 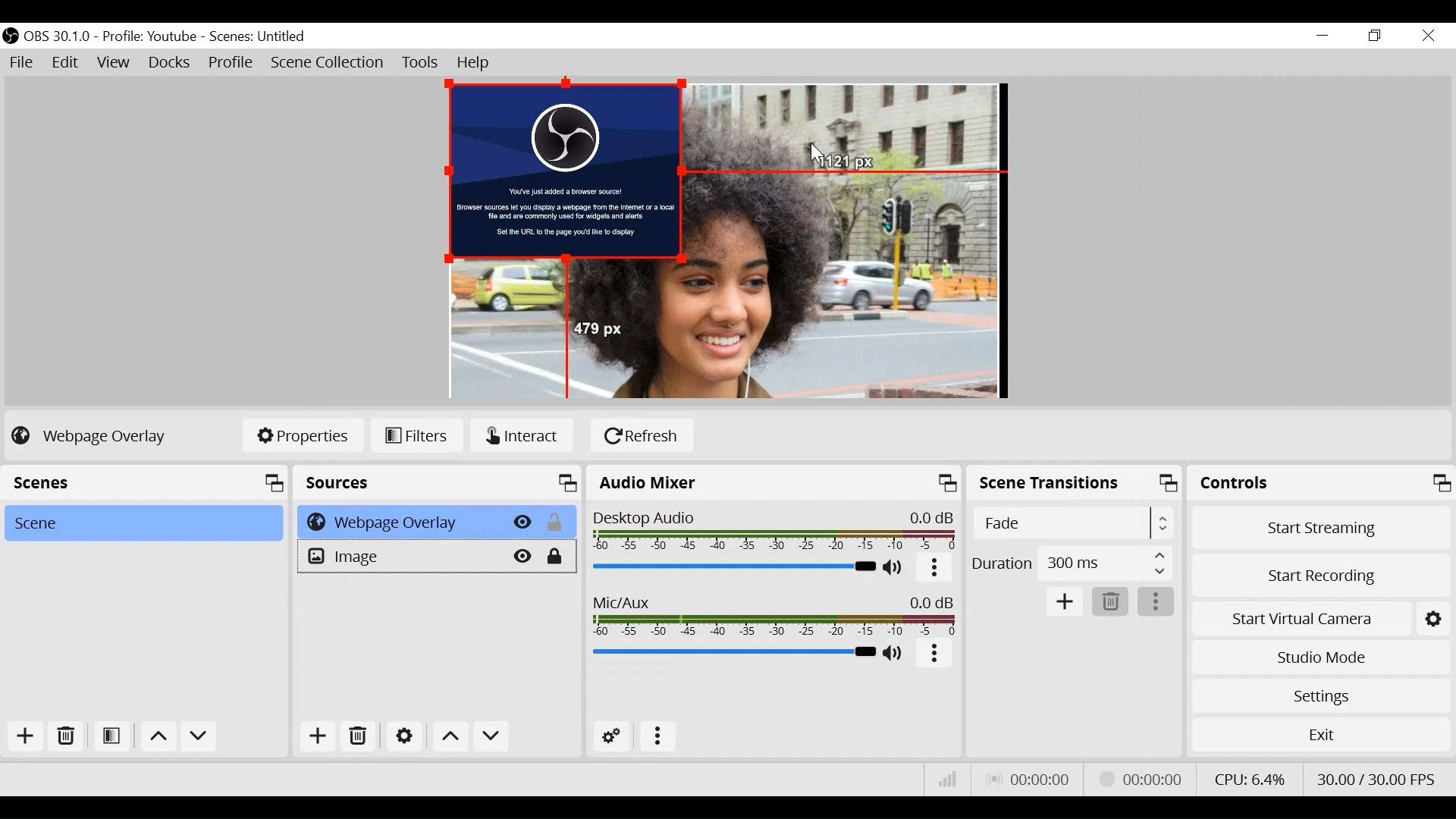 What do you see at coordinates (1320, 529) in the screenshot?
I see `Start Streaming` at bounding box center [1320, 529].